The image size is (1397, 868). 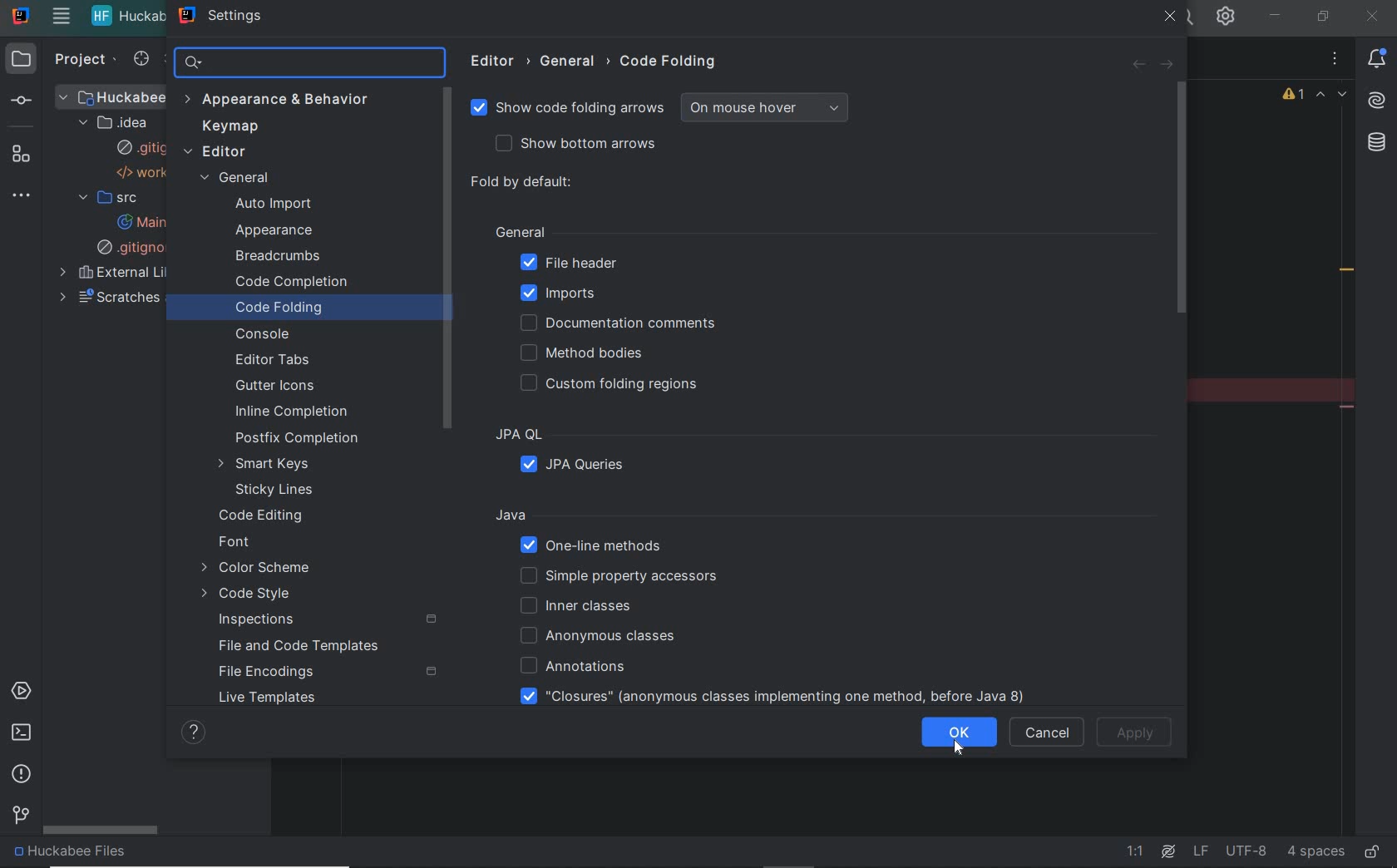 I want to click on code folding, so click(x=671, y=62).